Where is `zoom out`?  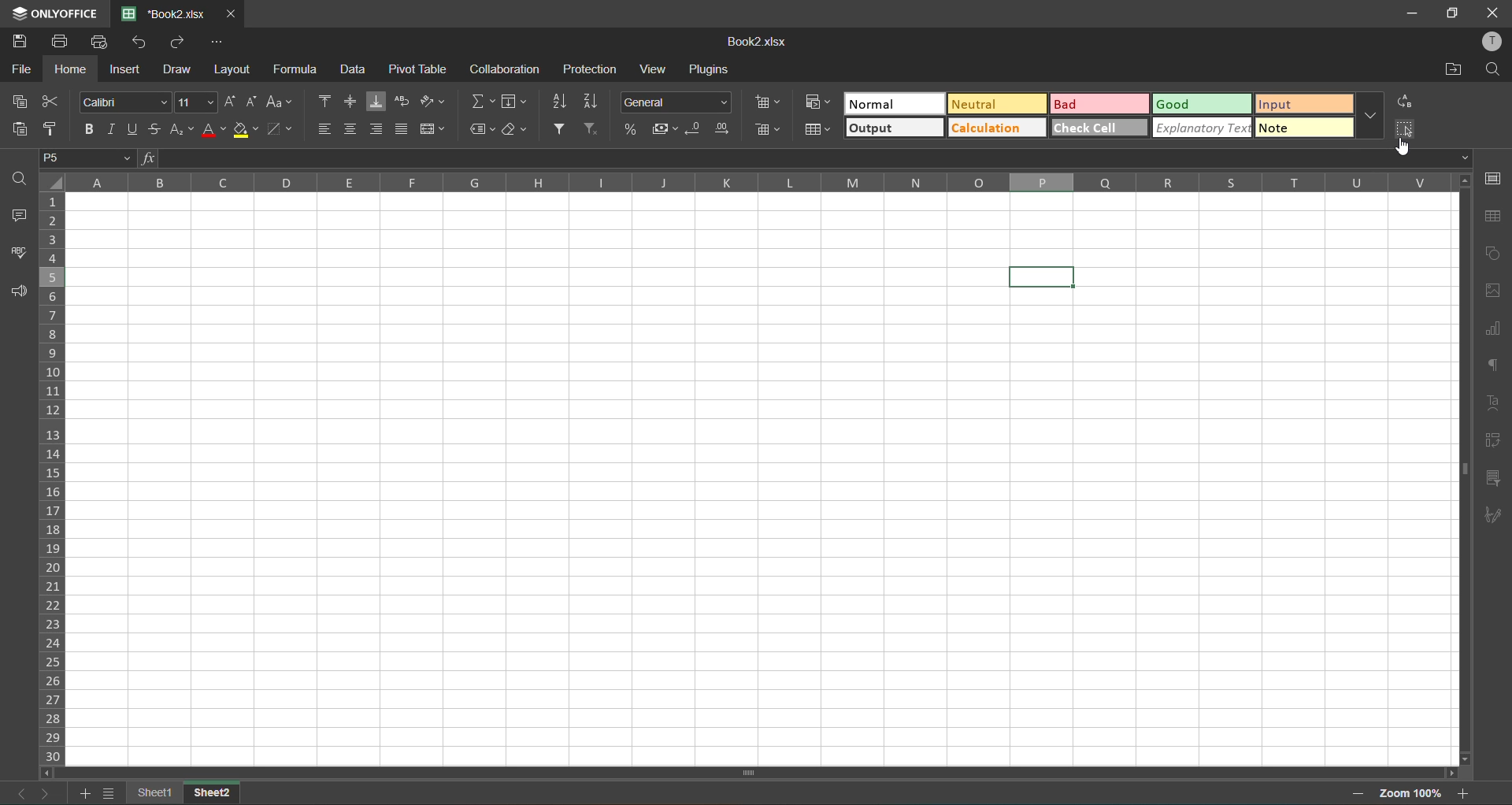 zoom out is located at coordinates (1351, 793).